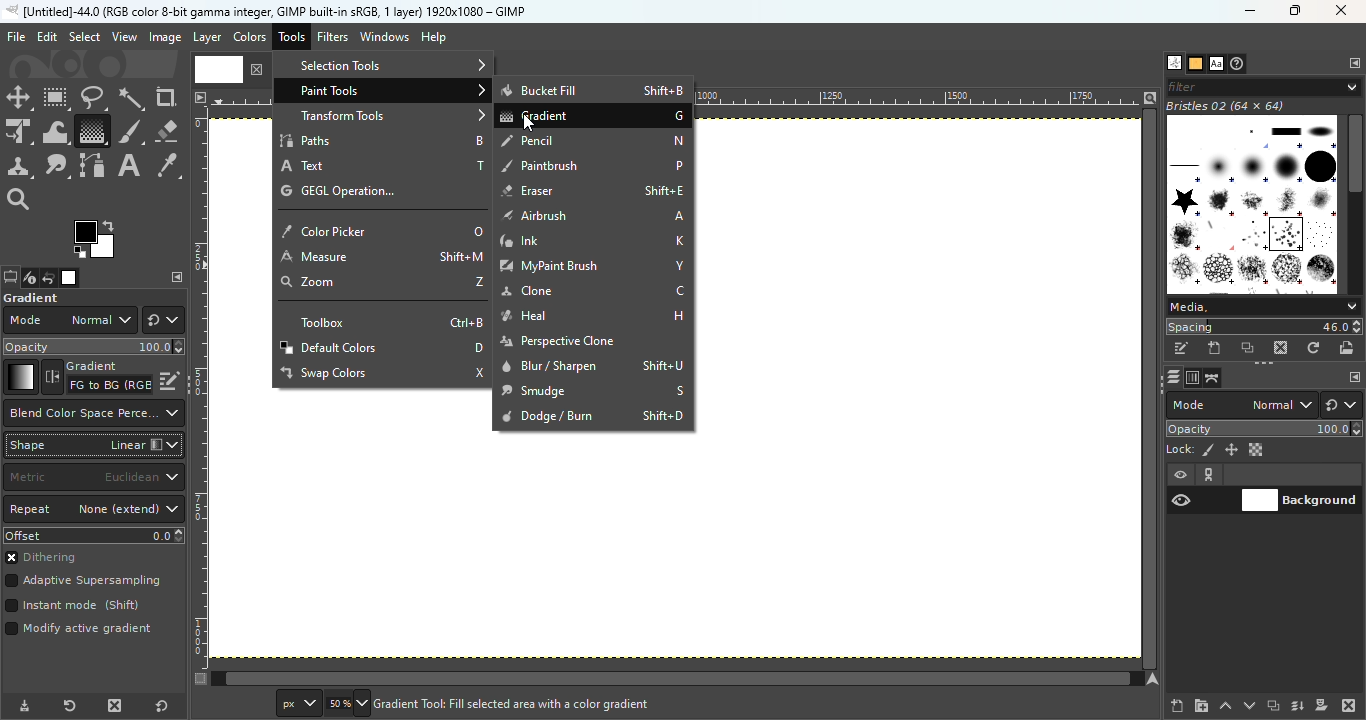 This screenshot has height=720, width=1366. Describe the element at coordinates (67, 707) in the screenshot. I see `Reset tool preset` at that location.